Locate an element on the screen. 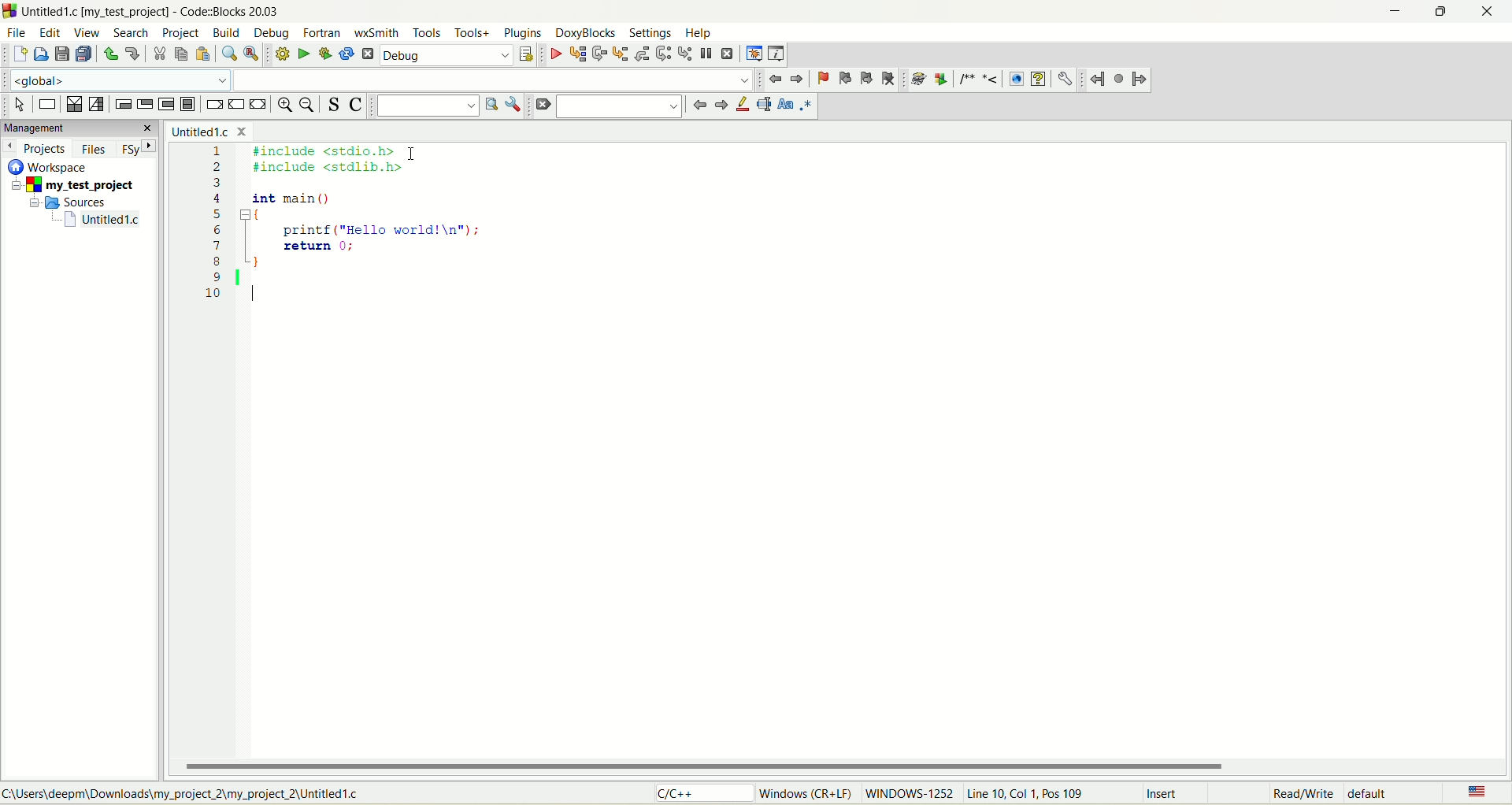 This screenshot has width=1512, height=805. instruction is located at coordinates (46, 104).